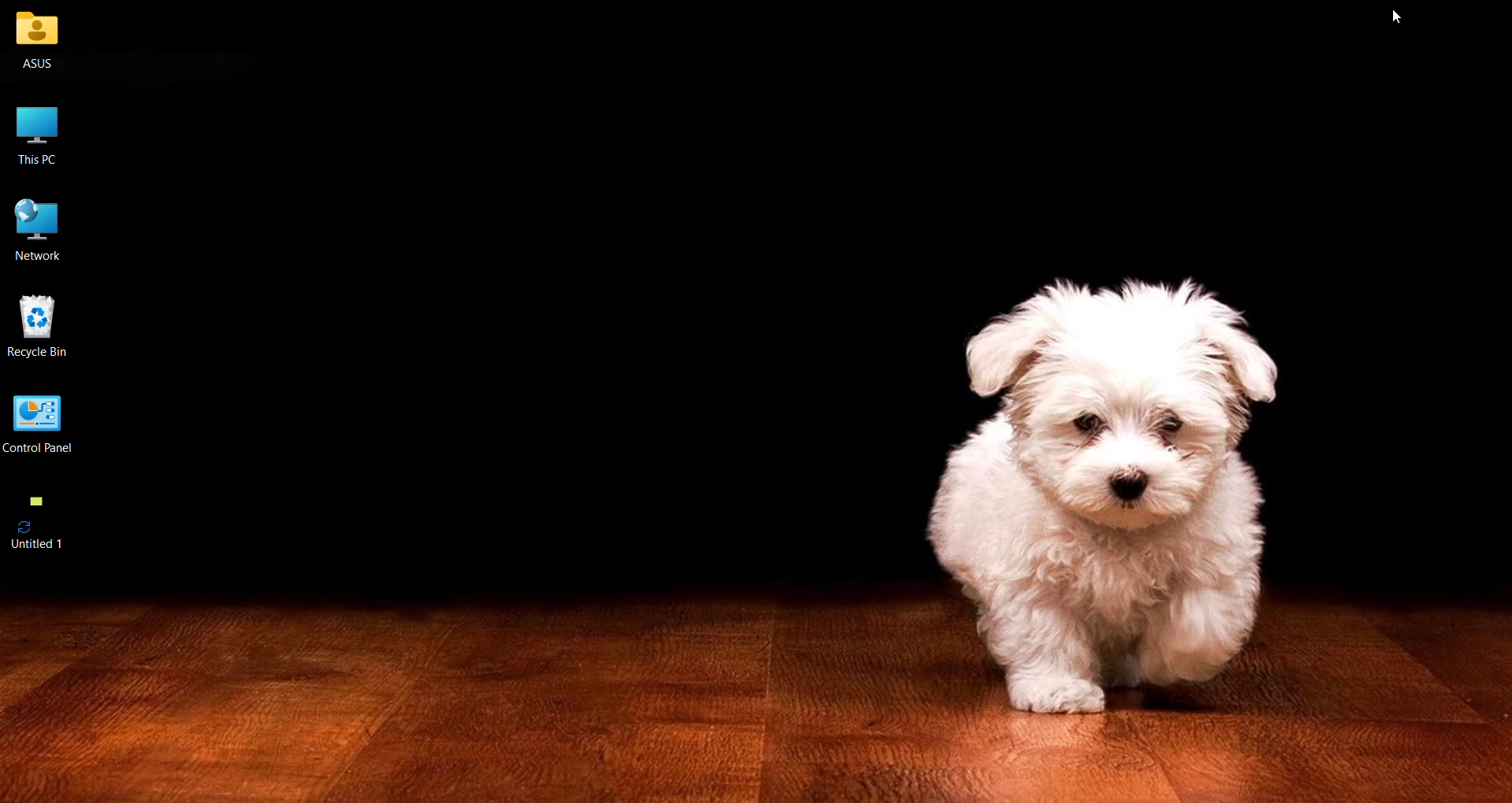  I want to click on Saved PNG Image, so click(39, 522).